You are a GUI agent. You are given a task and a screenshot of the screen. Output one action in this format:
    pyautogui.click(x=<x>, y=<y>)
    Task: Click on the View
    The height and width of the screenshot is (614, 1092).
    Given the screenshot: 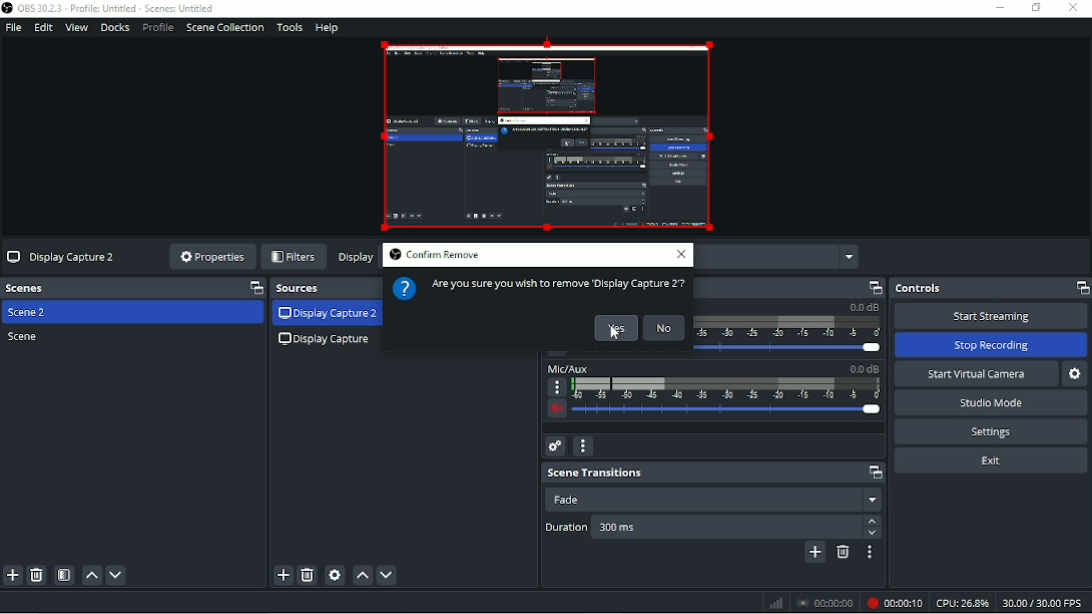 What is the action you would take?
    pyautogui.click(x=77, y=28)
    